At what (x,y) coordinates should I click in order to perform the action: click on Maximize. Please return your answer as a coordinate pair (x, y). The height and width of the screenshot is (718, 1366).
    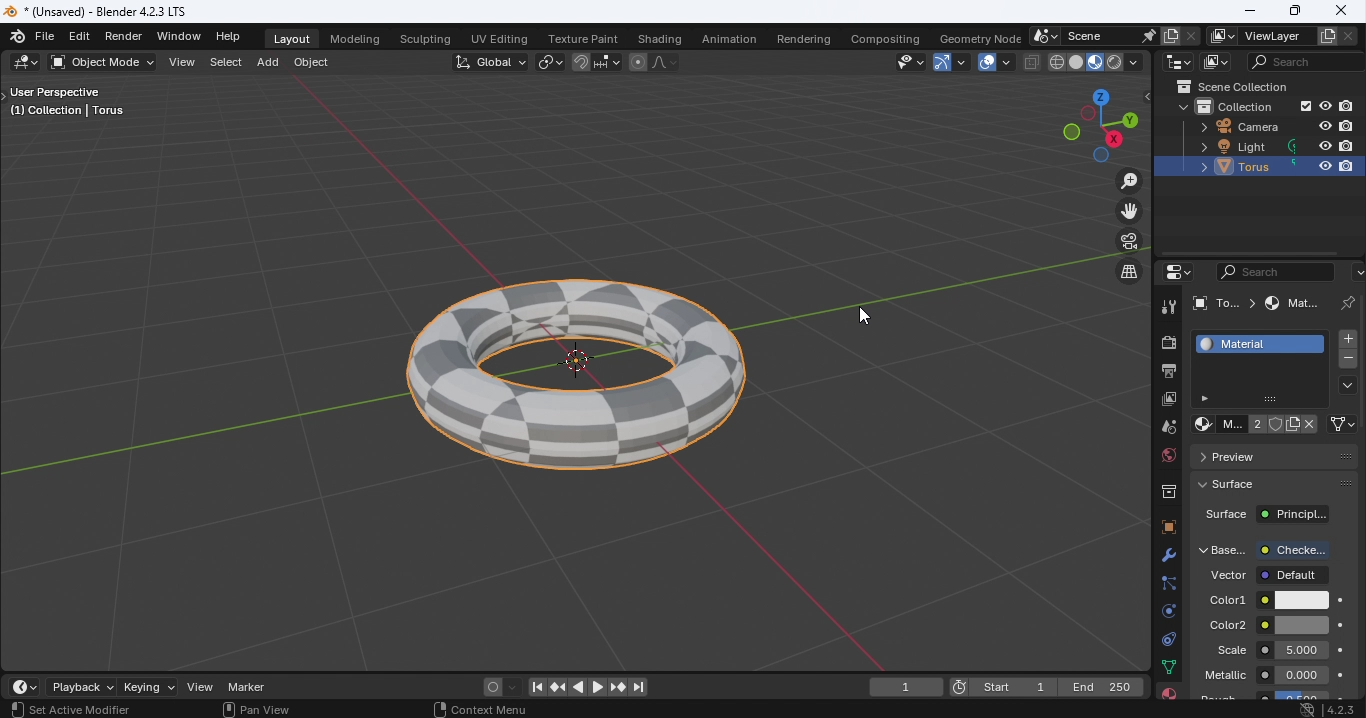
    Looking at the image, I should click on (1296, 12).